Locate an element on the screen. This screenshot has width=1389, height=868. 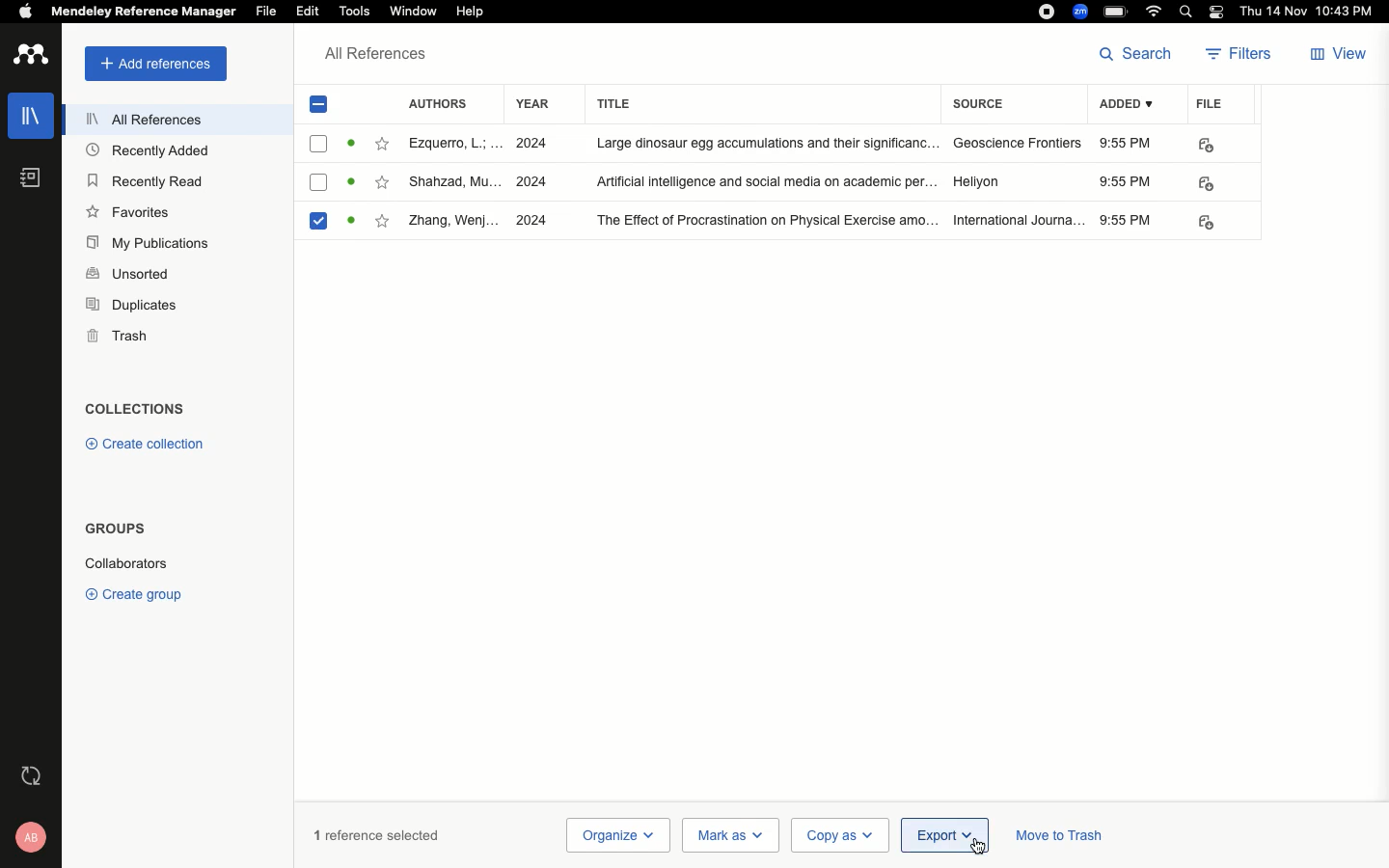
File is located at coordinates (267, 12).